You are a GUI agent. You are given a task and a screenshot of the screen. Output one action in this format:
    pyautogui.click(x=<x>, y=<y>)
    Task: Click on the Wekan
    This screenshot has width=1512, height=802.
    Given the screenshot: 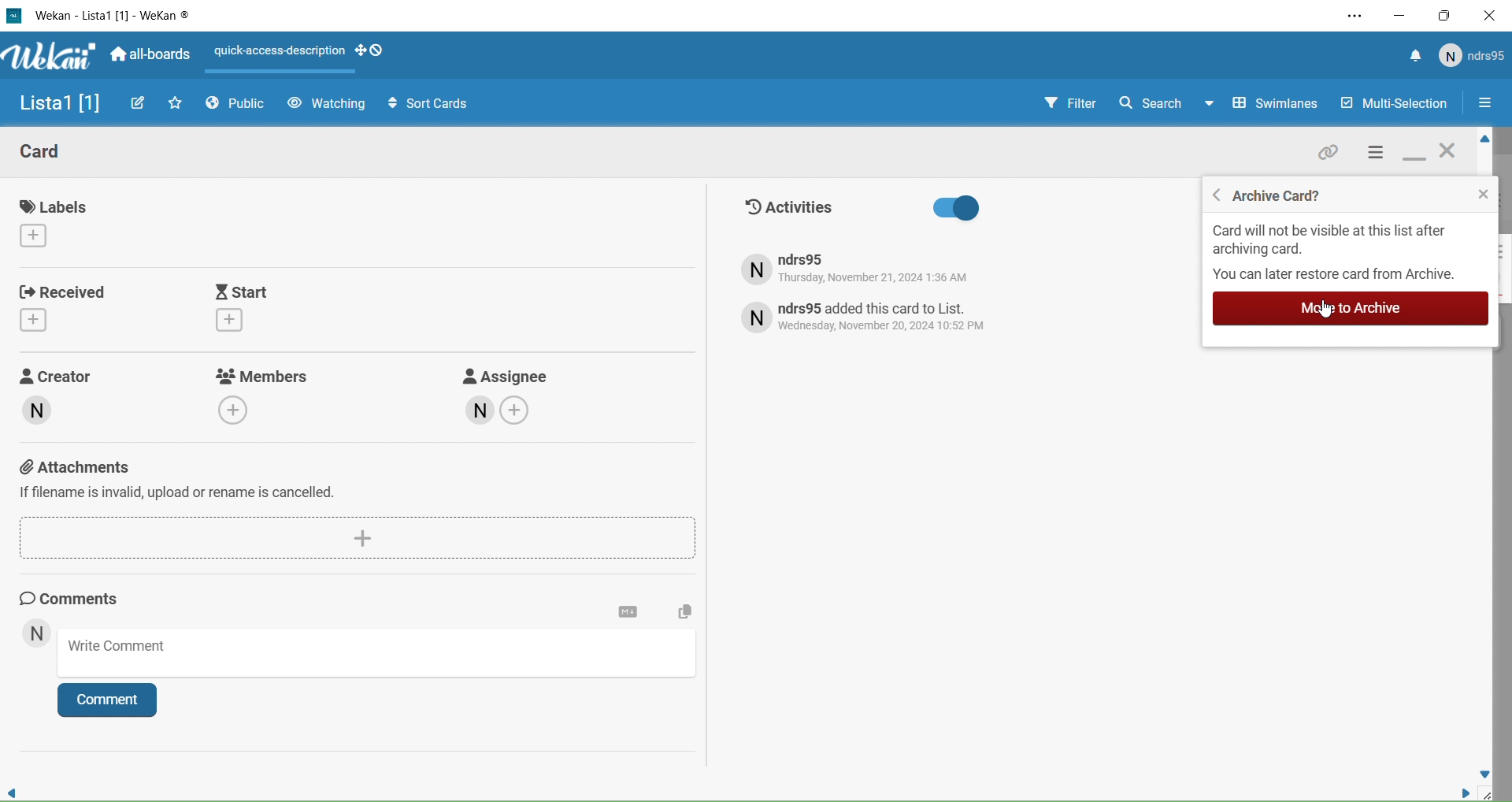 What is the action you would take?
    pyautogui.click(x=109, y=15)
    